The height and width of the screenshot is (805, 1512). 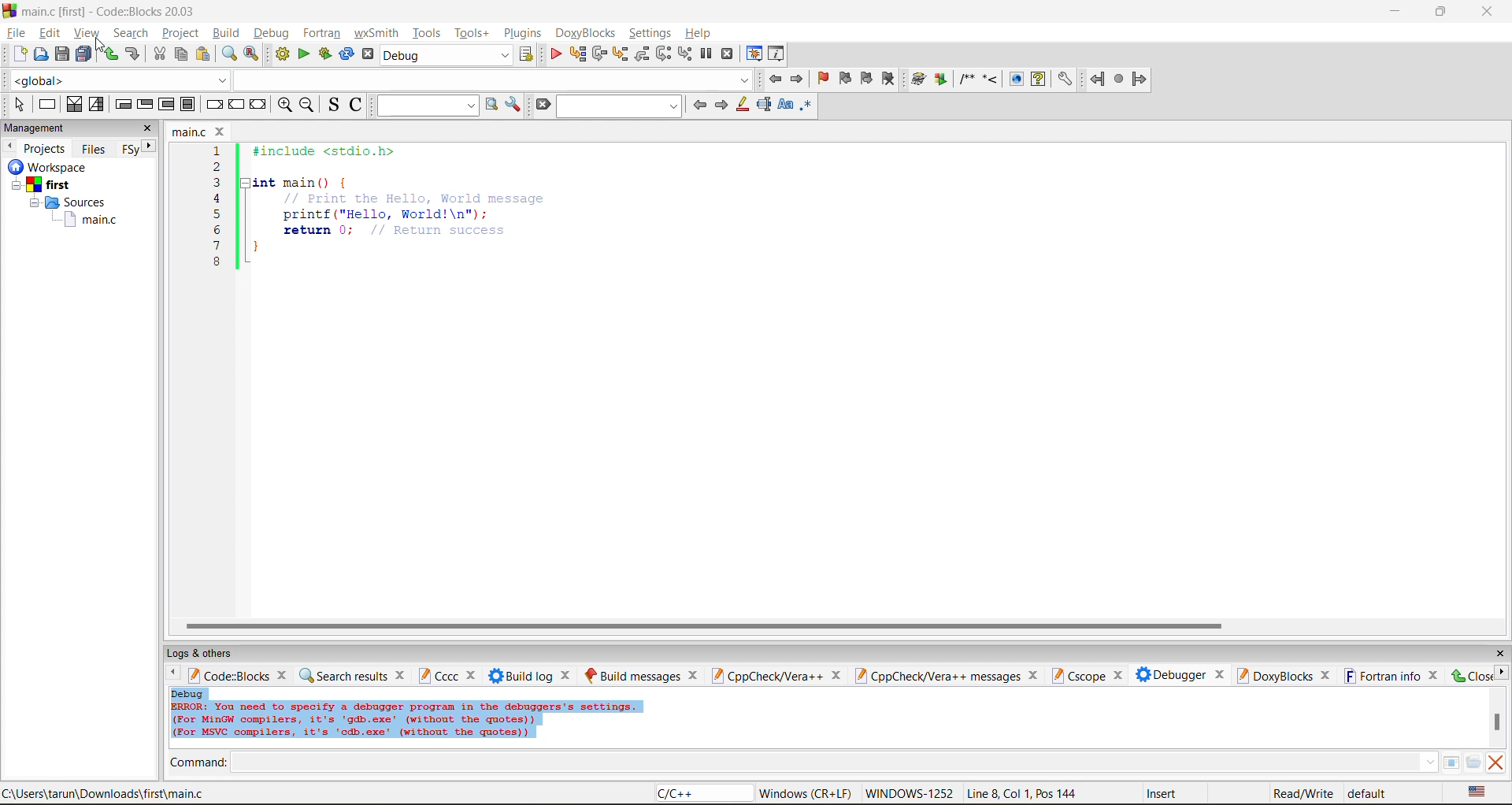 I want to click on 'WINDOWS-1252, so click(x=909, y=794).